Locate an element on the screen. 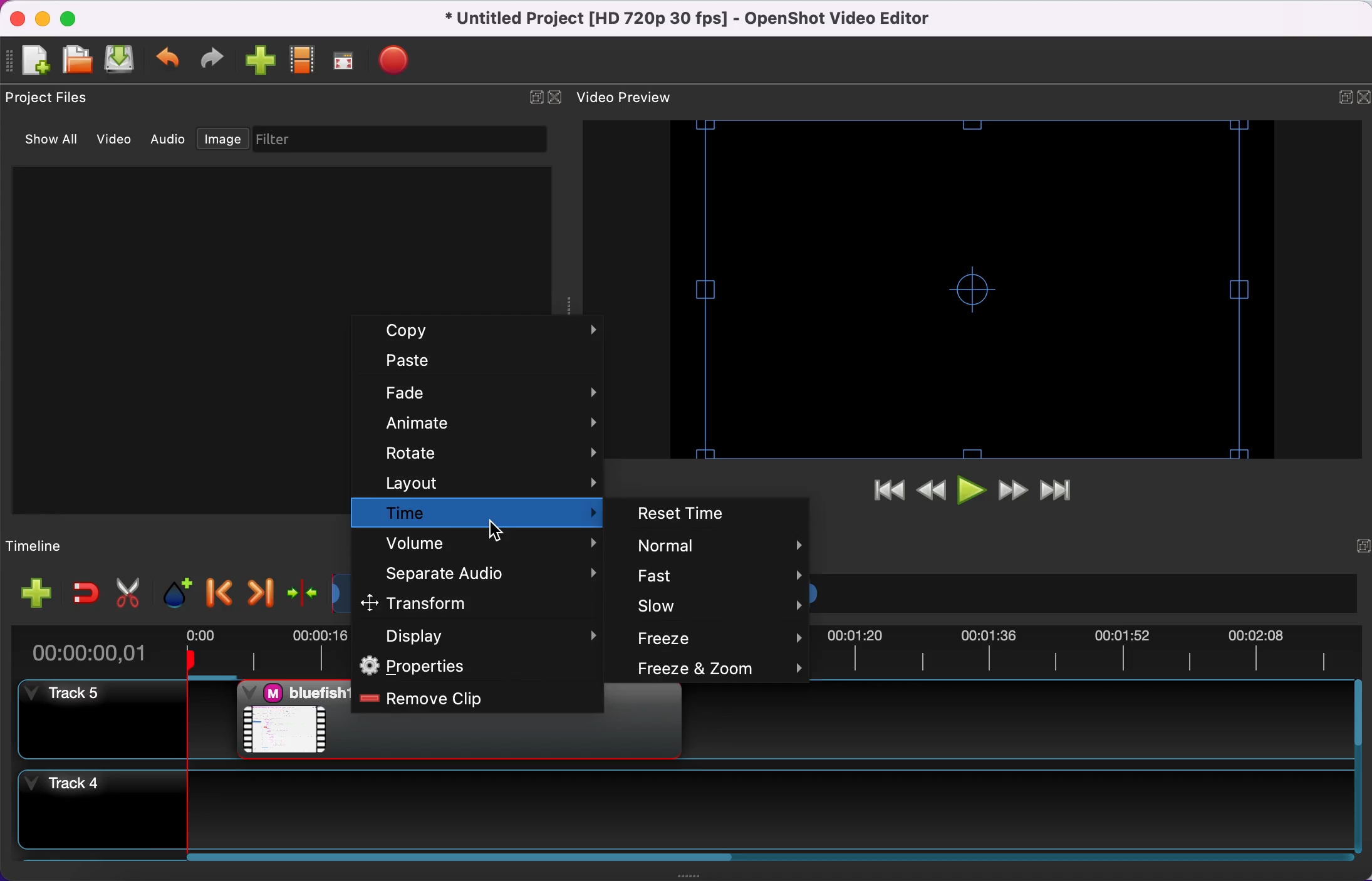 This screenshot has width=1372, height=881. display is located at coordinates (480, 637).